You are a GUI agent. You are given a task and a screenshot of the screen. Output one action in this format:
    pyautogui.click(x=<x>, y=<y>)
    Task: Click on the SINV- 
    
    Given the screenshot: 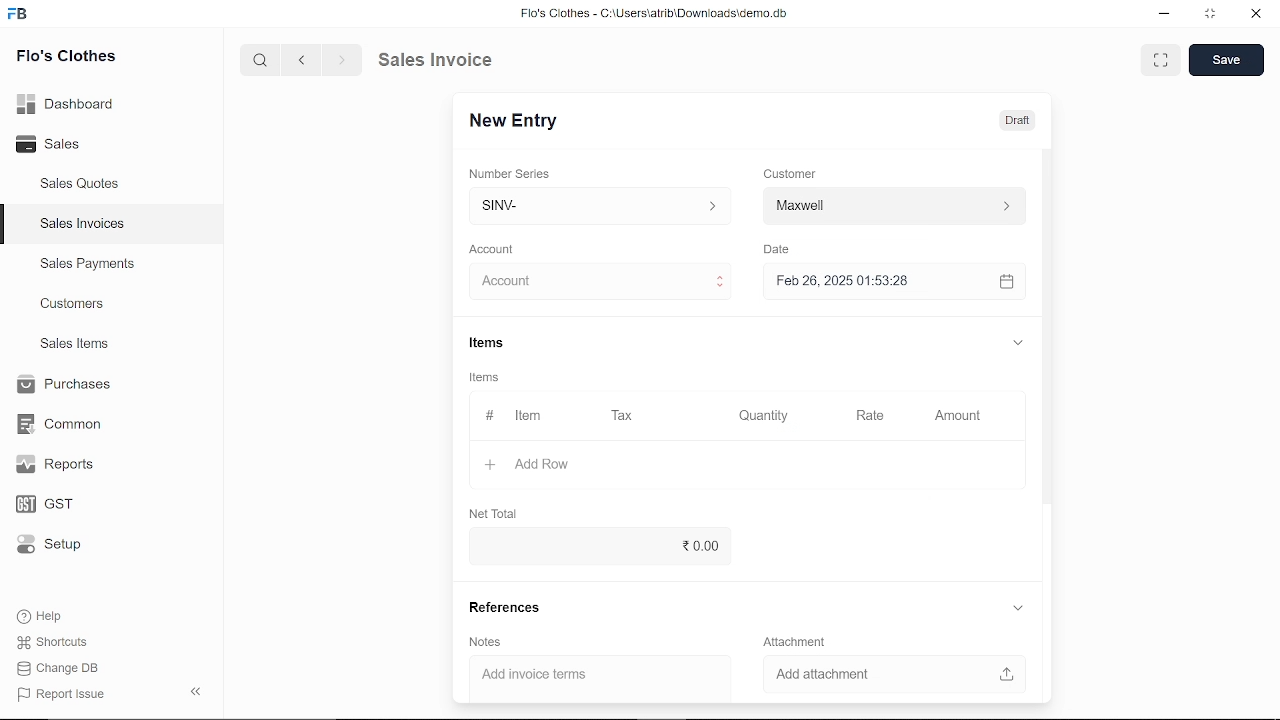 What is the action you would take?
    pyautogui.click(x=595, y=206)
    